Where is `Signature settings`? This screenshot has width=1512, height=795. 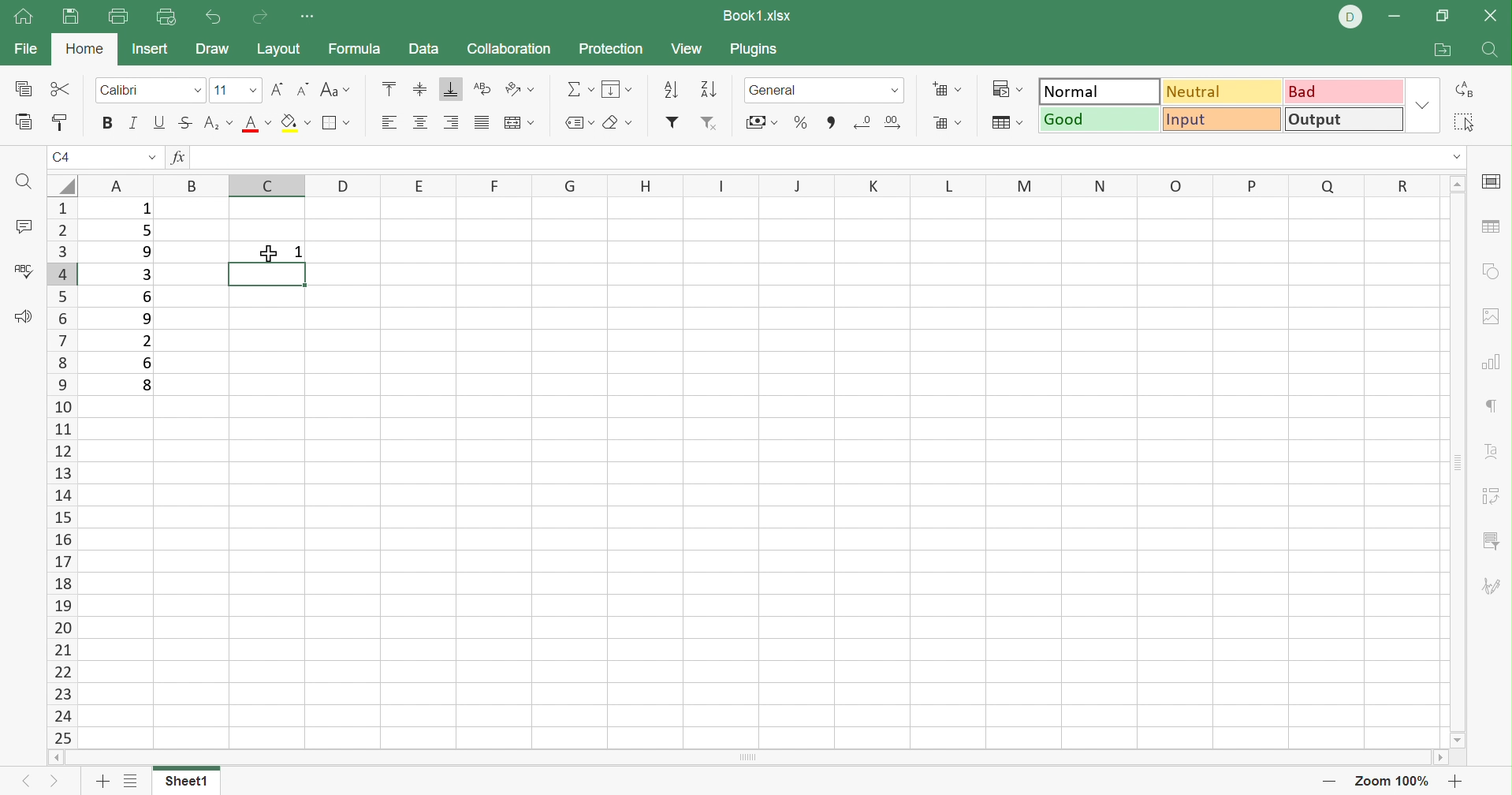
Signature settings is located at coordinates (1494, 585).